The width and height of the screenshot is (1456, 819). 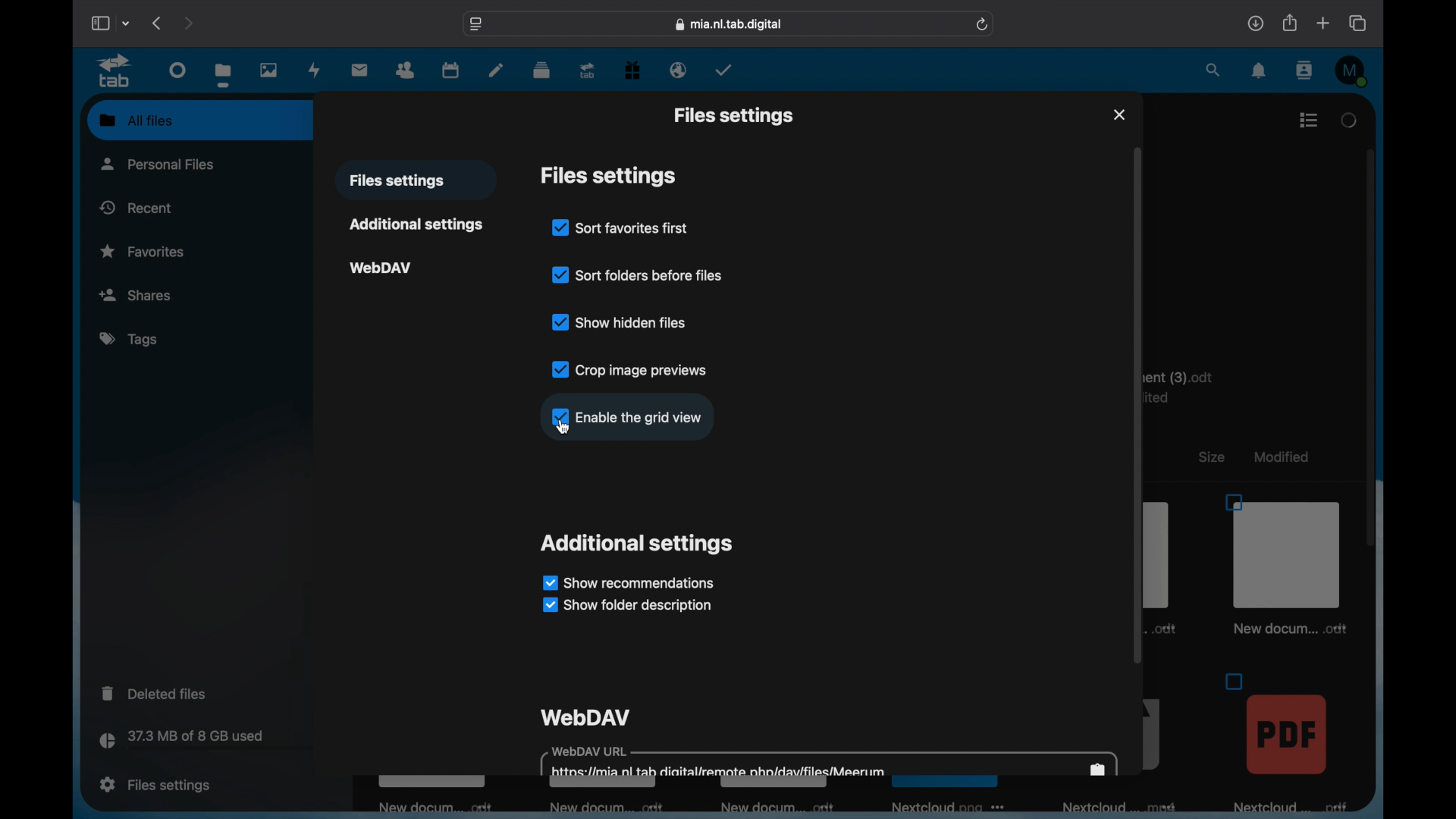 I want to click on website settings, so click(x=475, y=24).